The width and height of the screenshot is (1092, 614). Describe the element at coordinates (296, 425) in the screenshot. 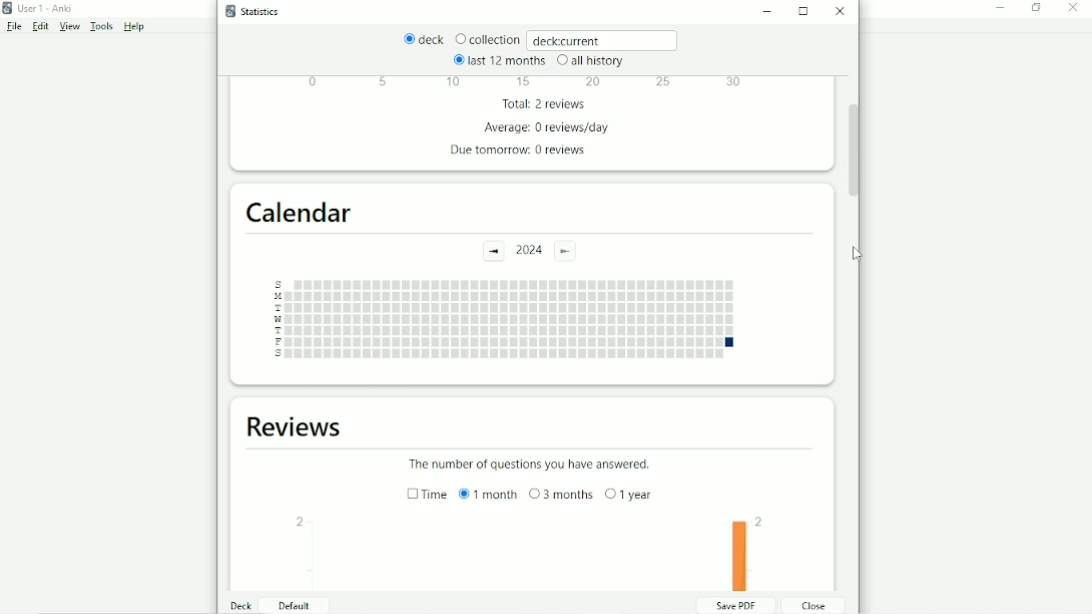

I see `Reviews` at that location.